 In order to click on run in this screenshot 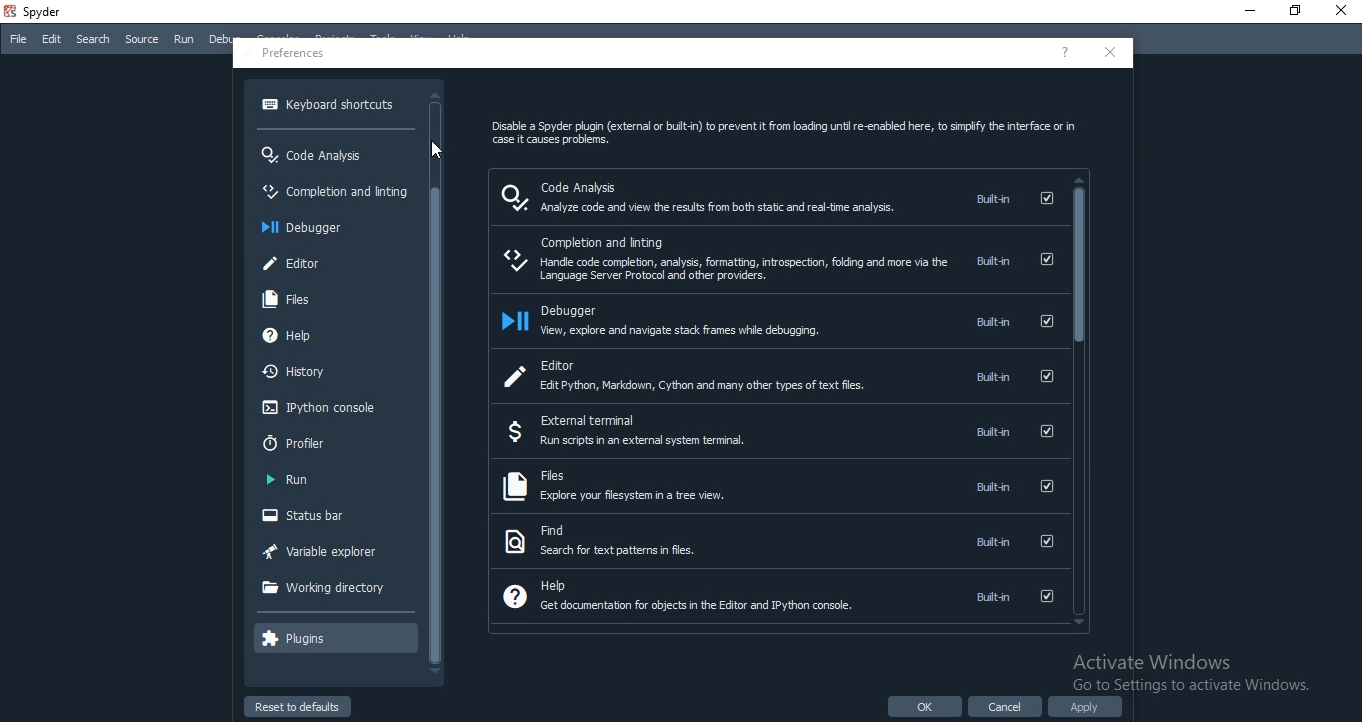, I will do `click(333, 483)`.